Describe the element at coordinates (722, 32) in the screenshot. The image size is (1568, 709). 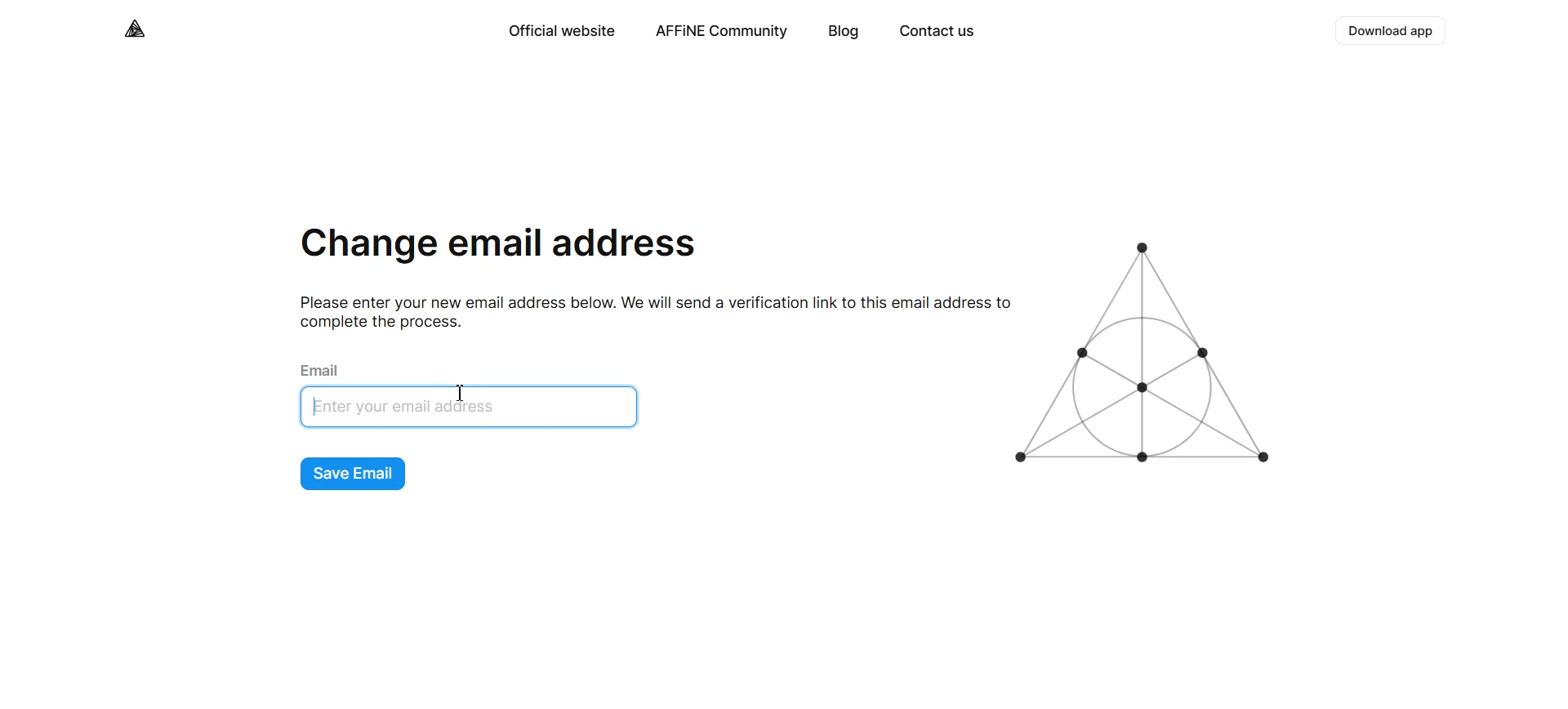
I see `AFFiNE Community` at that location.